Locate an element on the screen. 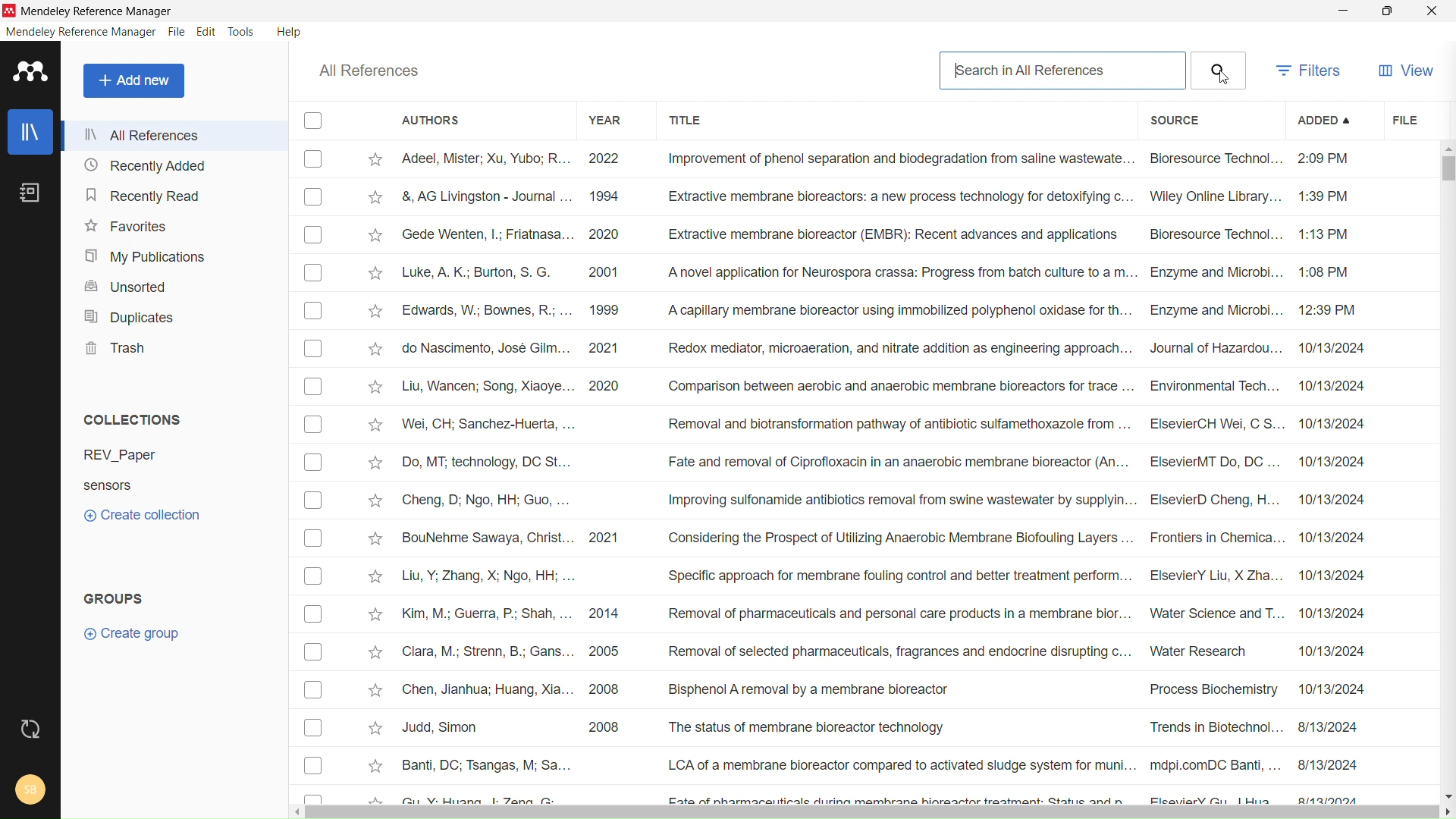 The image size is (1456, 819). Add to favorites is located at coordinates (375, 611).